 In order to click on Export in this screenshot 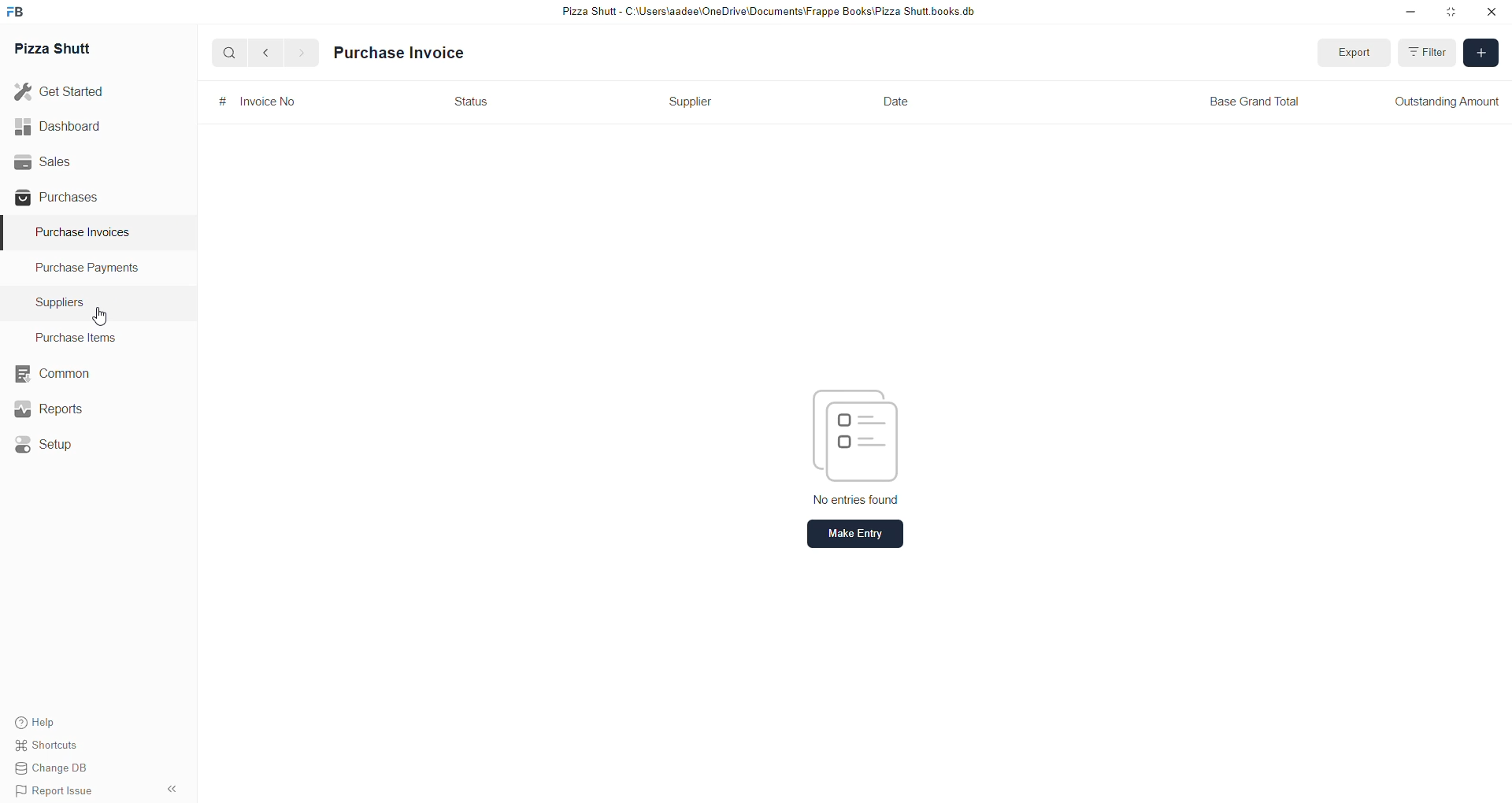, I will do `click(1352, 54)`.